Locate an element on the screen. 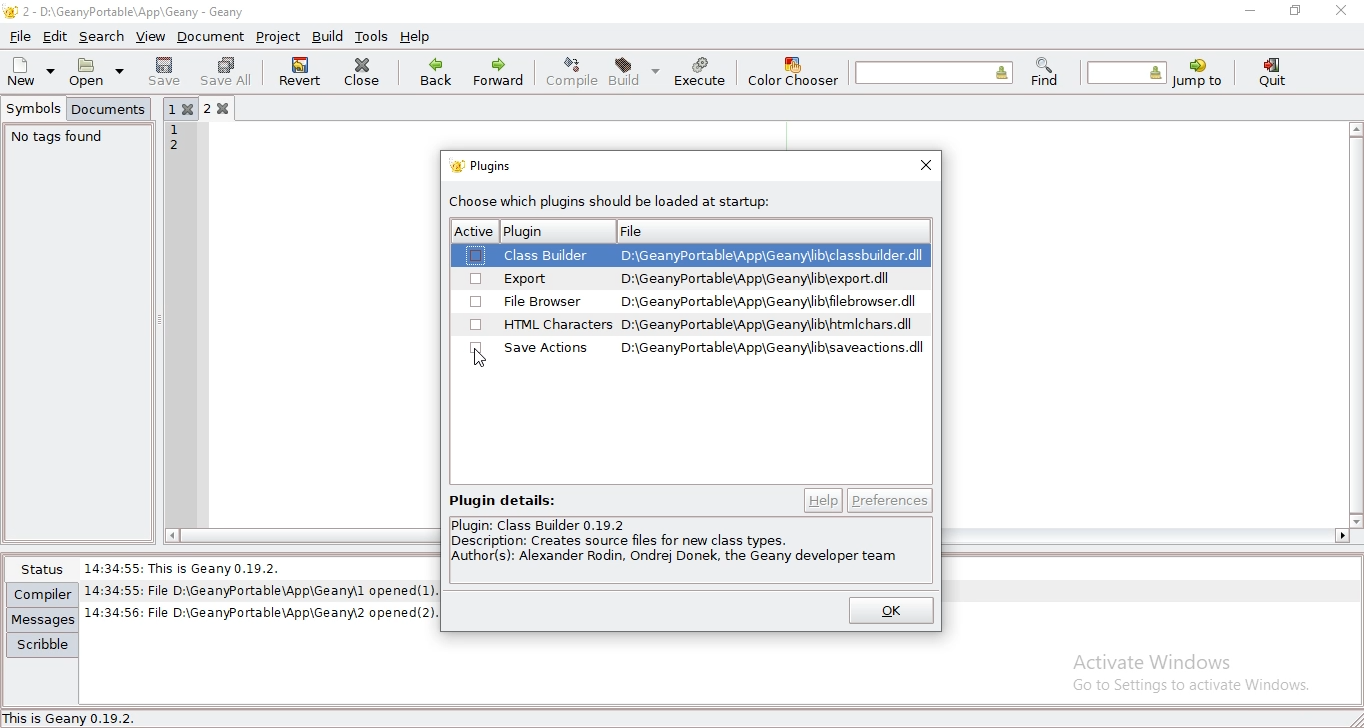  new is located at coordinates (24, 70).